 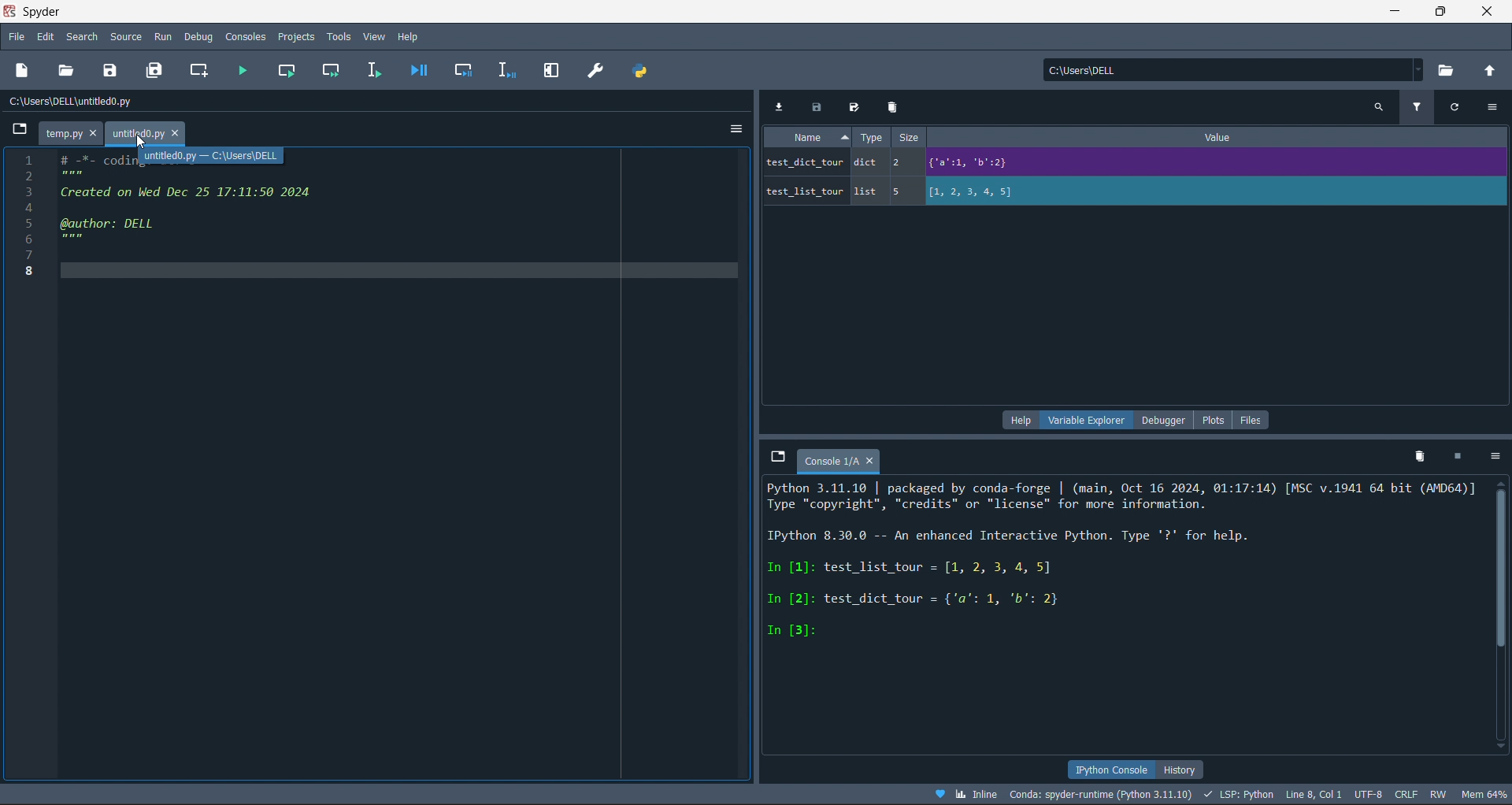 What do you see at coordinates (1197, 768) in the screenshot?
I see `history pane options` at bounding box center [1197, 768].